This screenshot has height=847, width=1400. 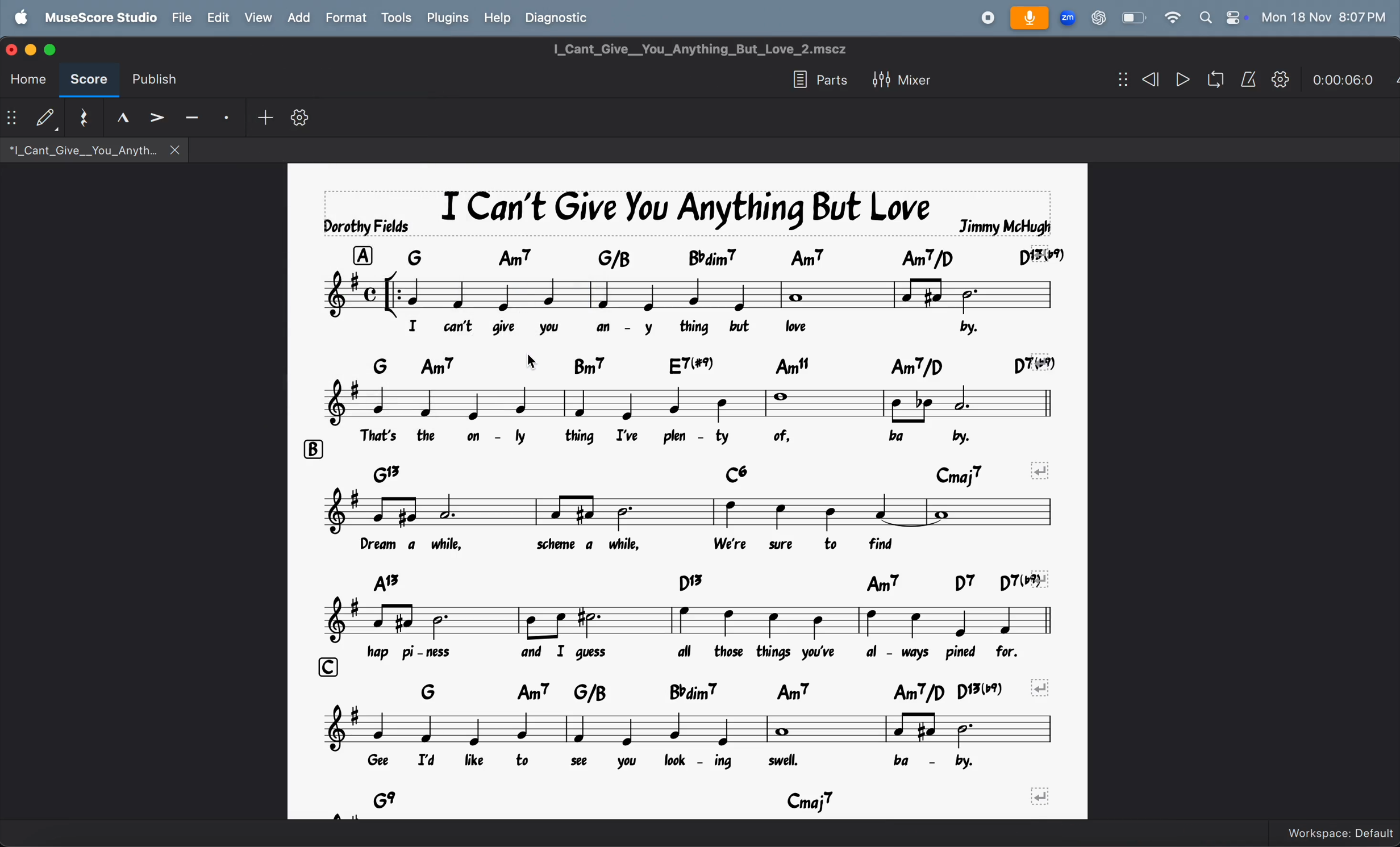 What do you see at coordinates (1171, 19) in the screenshot?
I see `wifi` at bounding box center [1171, 19].